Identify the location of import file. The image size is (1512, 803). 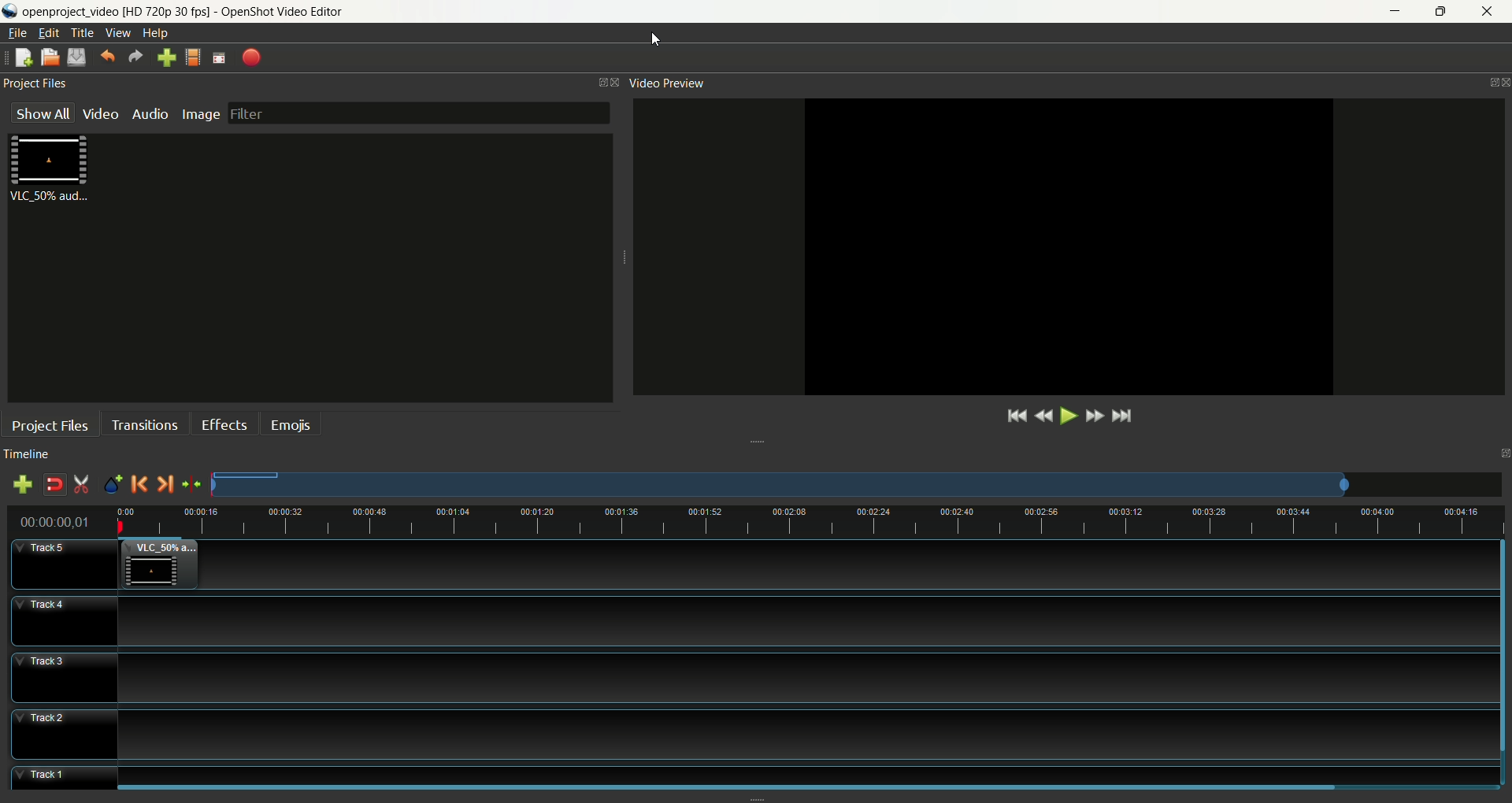
(162, 58).